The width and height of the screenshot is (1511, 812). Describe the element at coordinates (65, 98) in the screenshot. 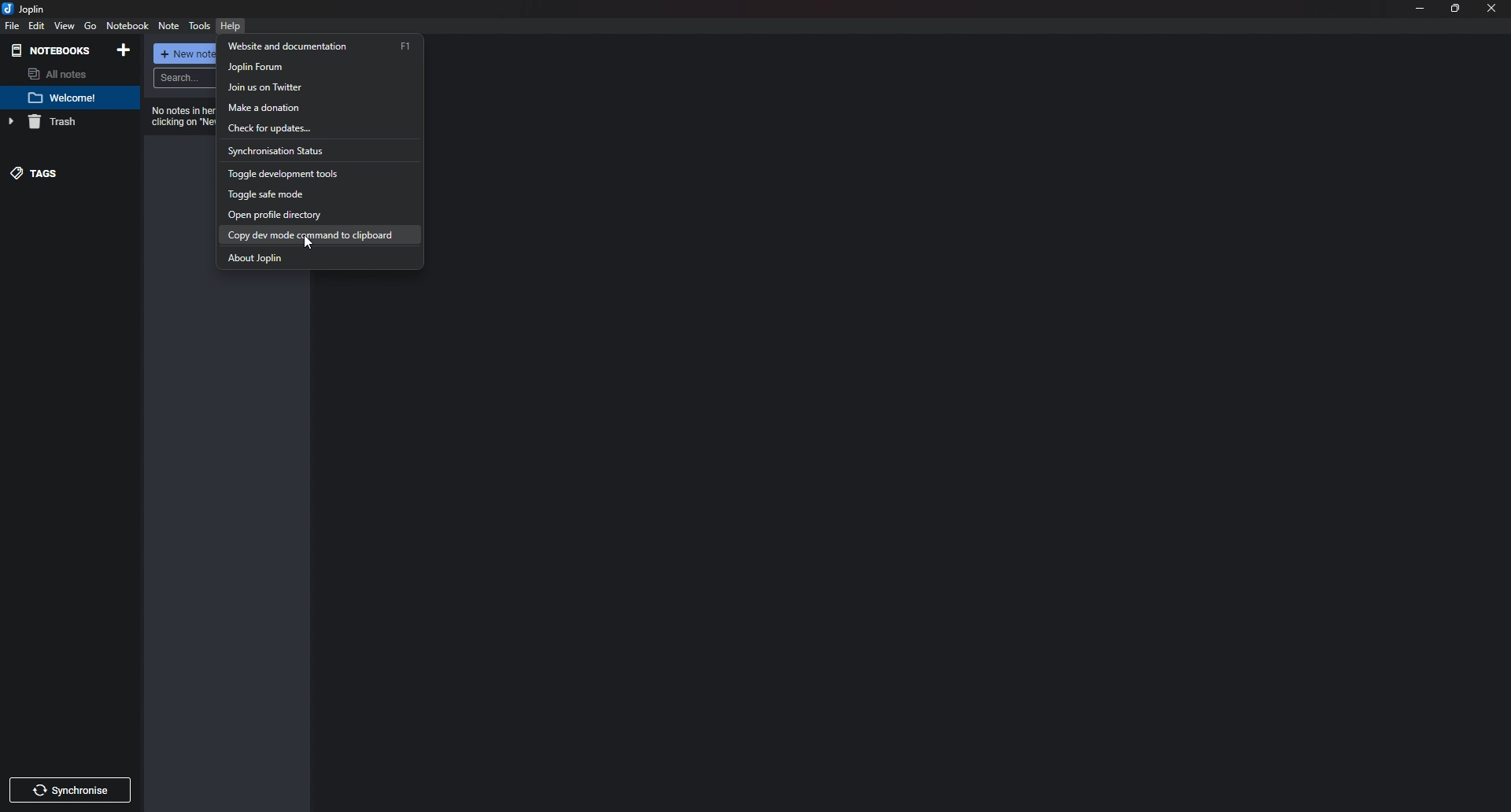

I see `Note` at that location.